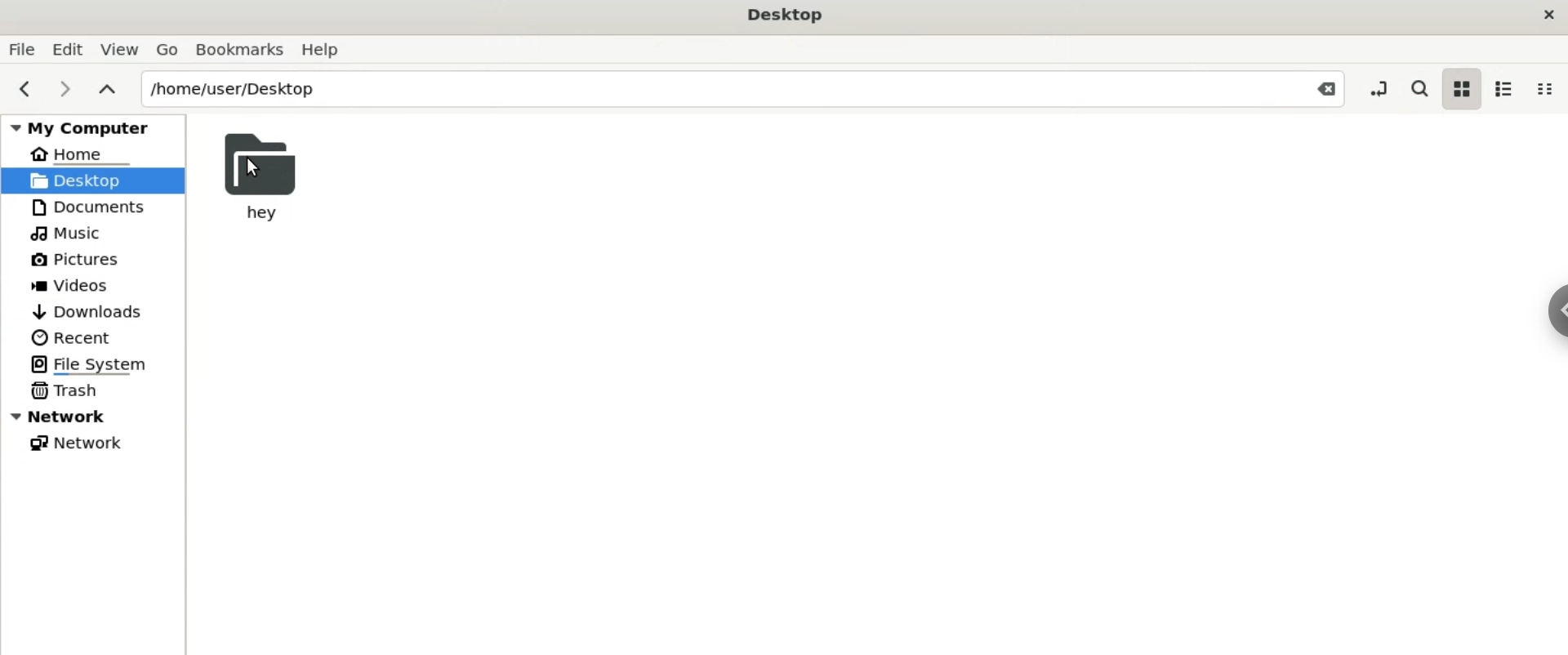  I want to click on recent, so click(70, 338).